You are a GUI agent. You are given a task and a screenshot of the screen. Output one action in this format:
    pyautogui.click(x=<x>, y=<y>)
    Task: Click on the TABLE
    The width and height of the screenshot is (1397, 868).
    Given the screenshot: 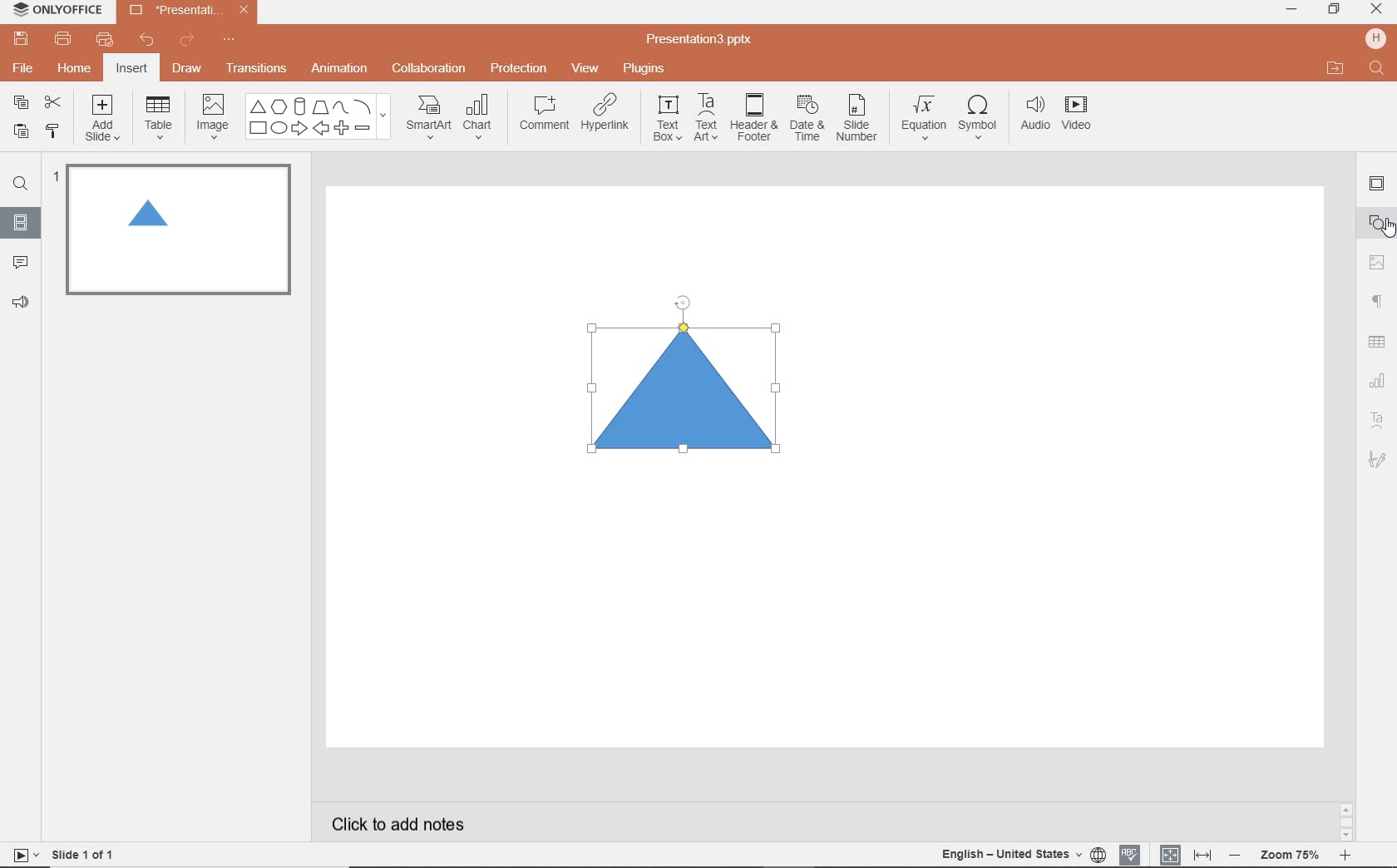 What is the action you would take?
    pyautogui.click(x=159, y=118)
    